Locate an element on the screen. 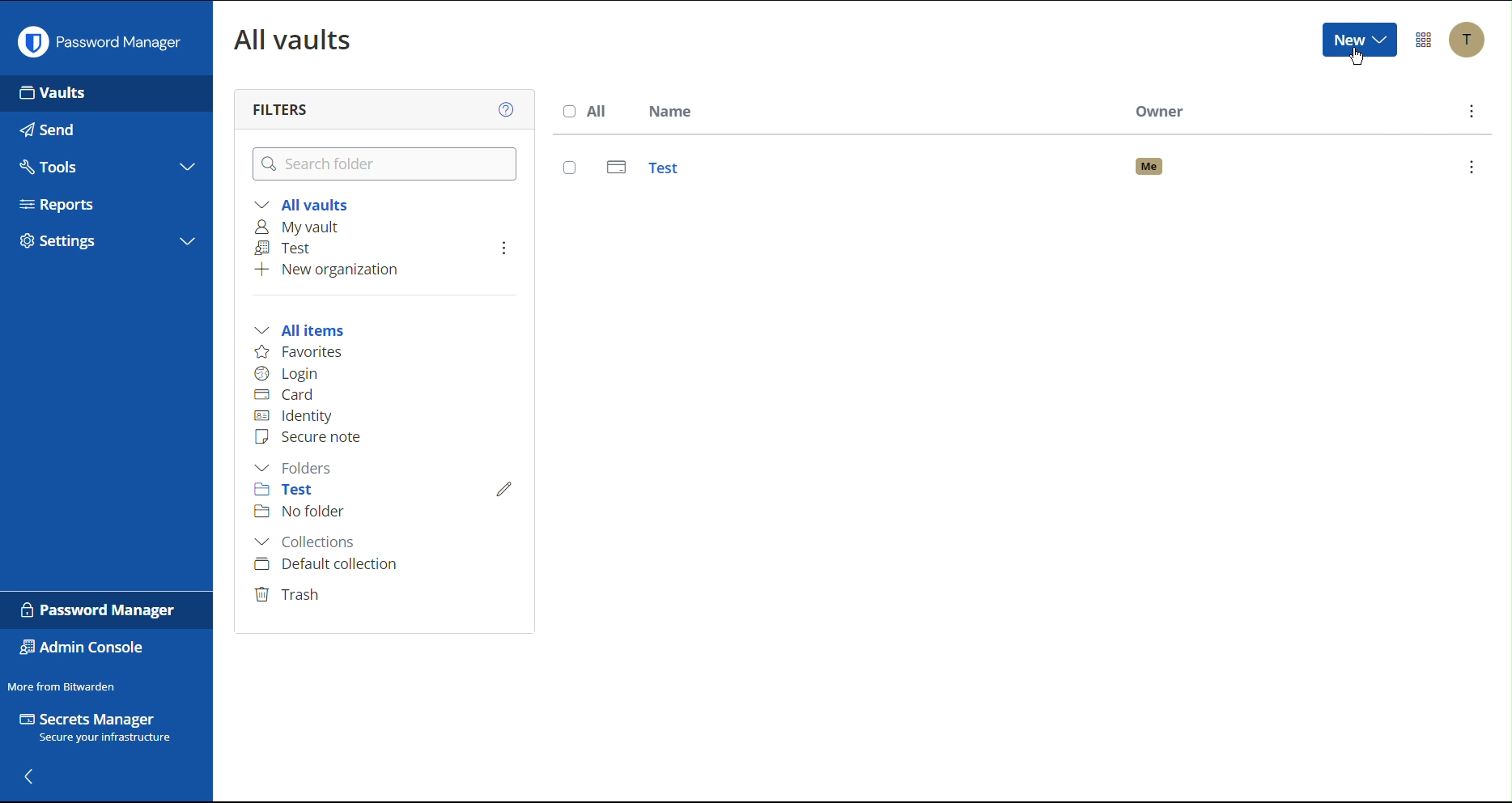  select entry is located at coordinates (569, 168).